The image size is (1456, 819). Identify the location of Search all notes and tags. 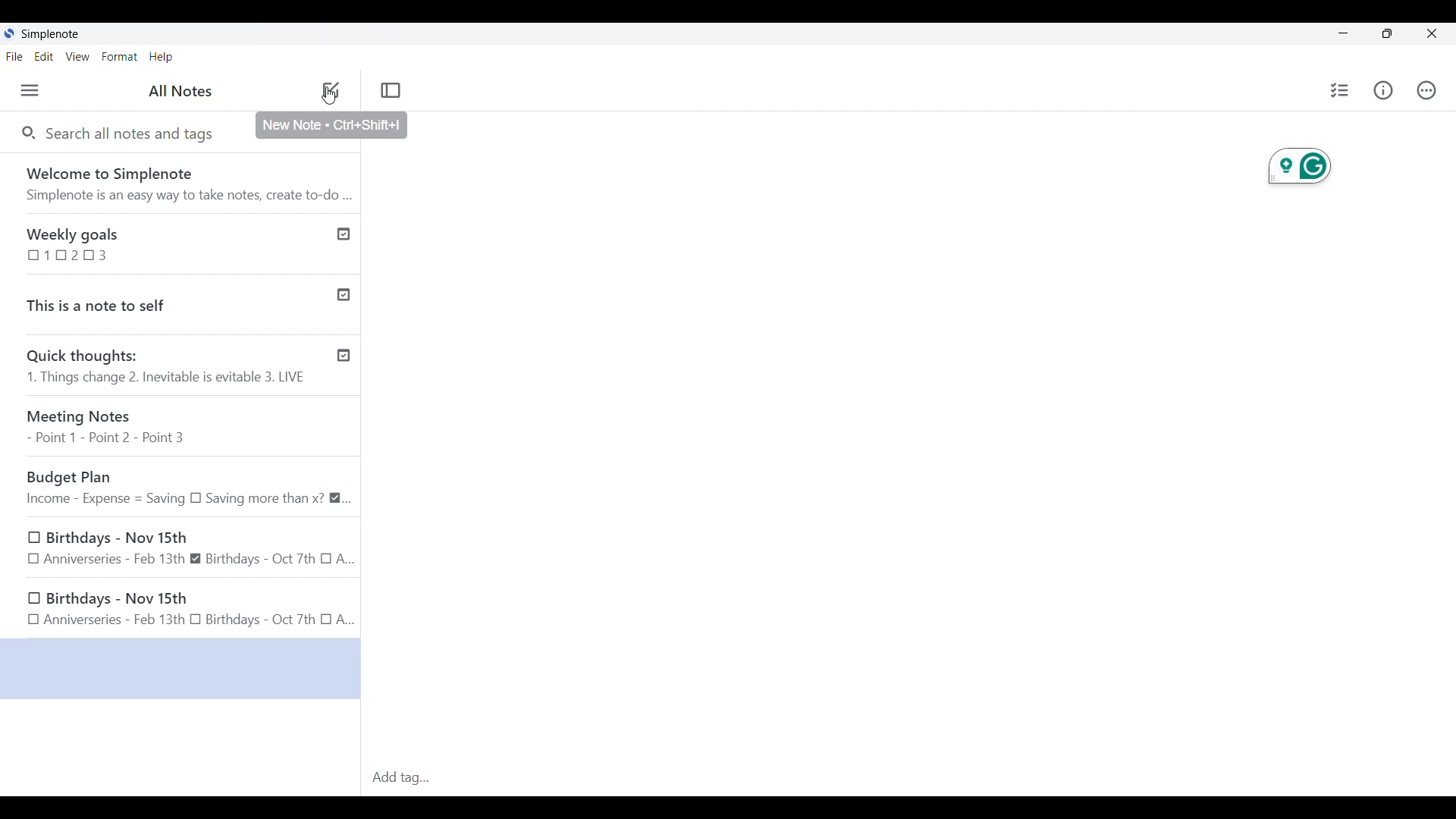
(136, 134).